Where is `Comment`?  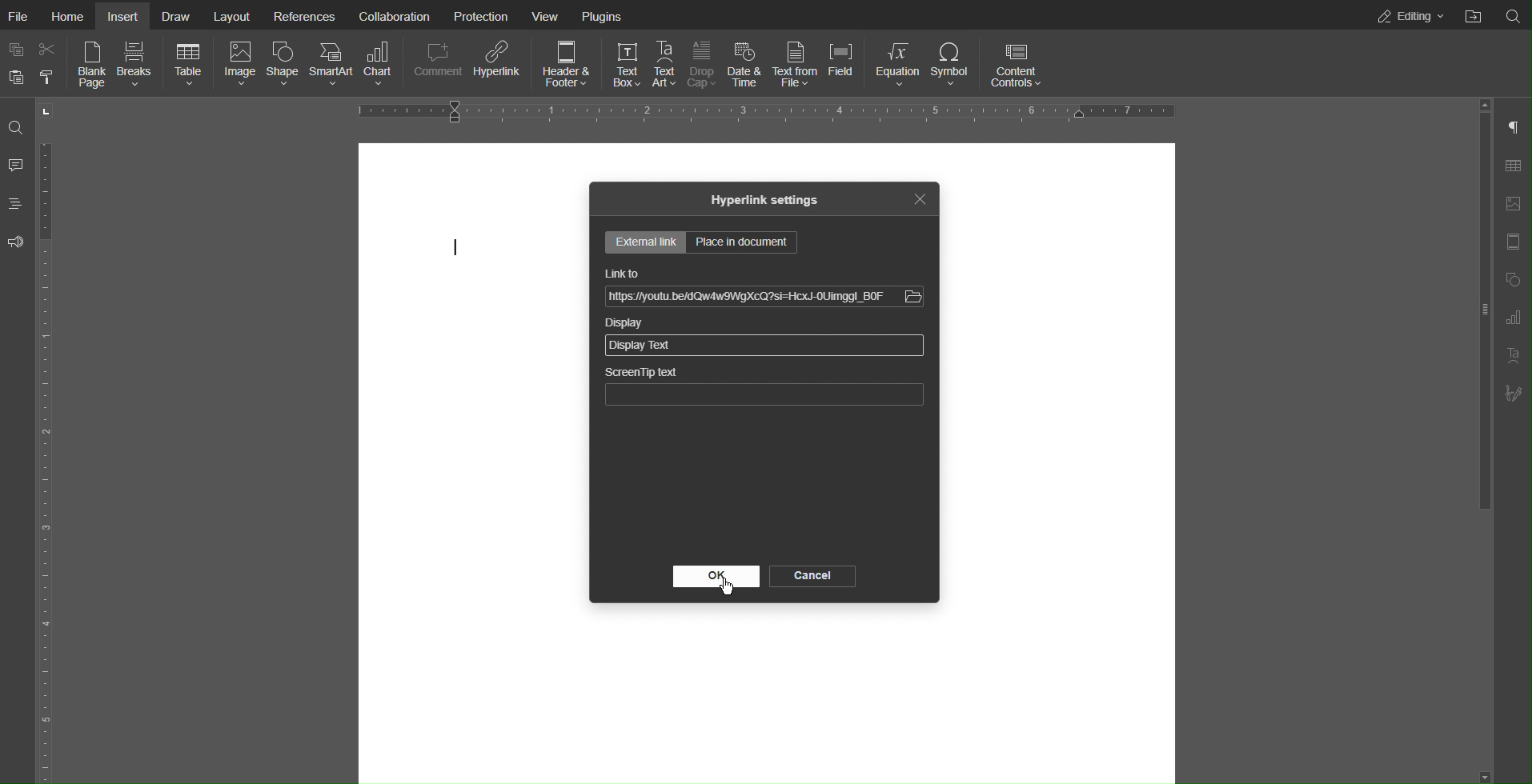 Comment is located at coordinates (435, 64).